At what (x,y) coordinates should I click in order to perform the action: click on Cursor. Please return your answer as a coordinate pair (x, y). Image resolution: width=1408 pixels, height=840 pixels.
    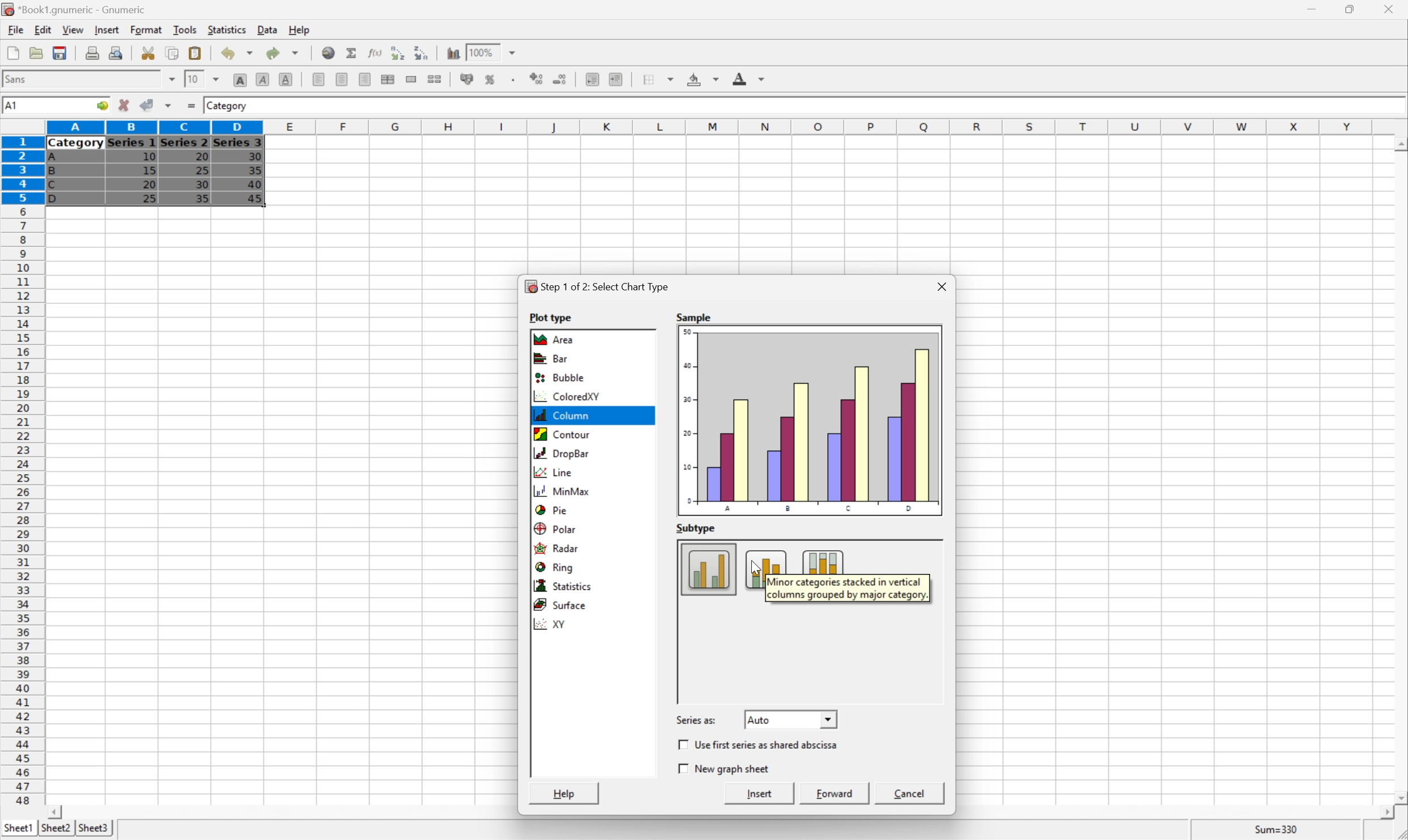
    Looking at the image, I should click on (242, 196).